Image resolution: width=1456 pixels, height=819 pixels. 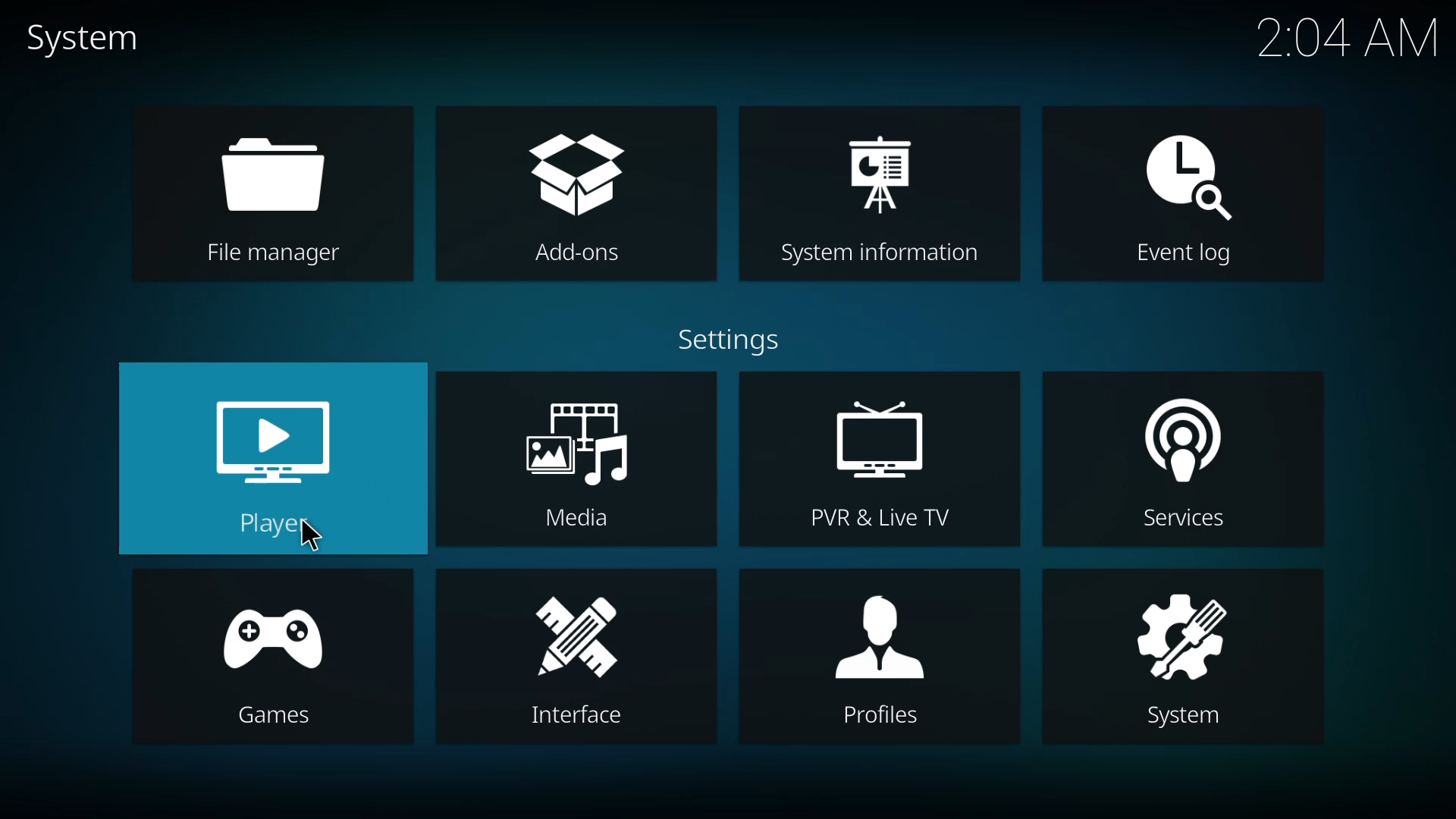 What do you see at coordinates (275, 661) in the screenshot?
I see `games` at bounding box center [275, 661].